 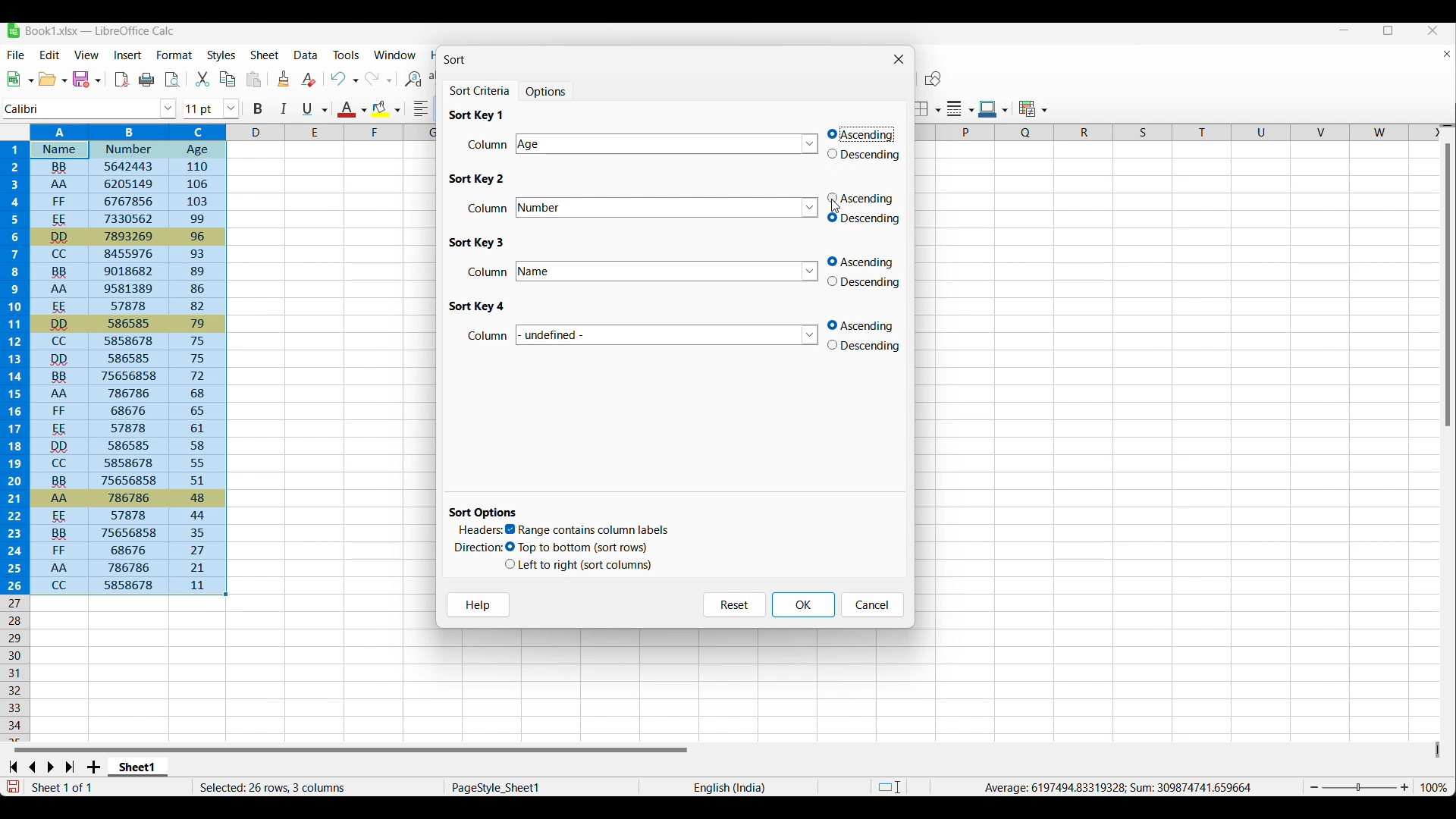 I want to click on column name, so click(x=670, y=209).